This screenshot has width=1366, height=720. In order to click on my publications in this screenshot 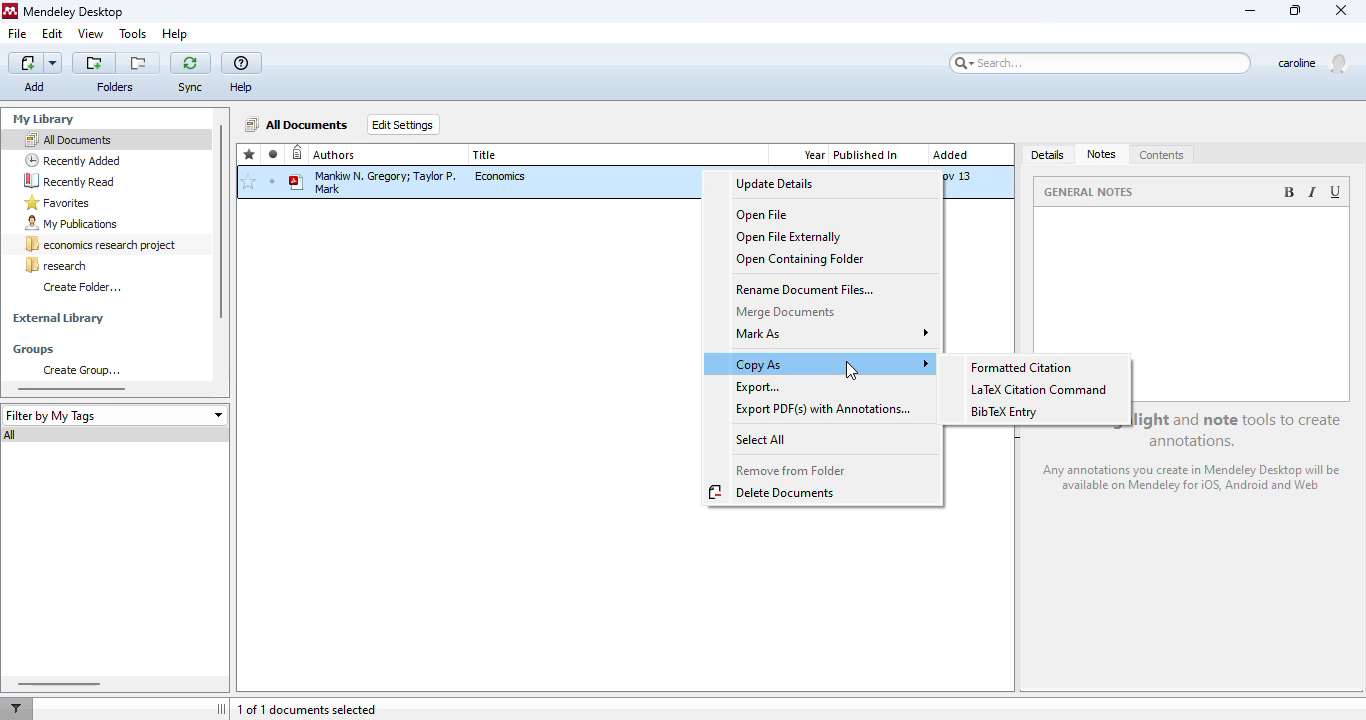, I will do `click(72, 224)`.